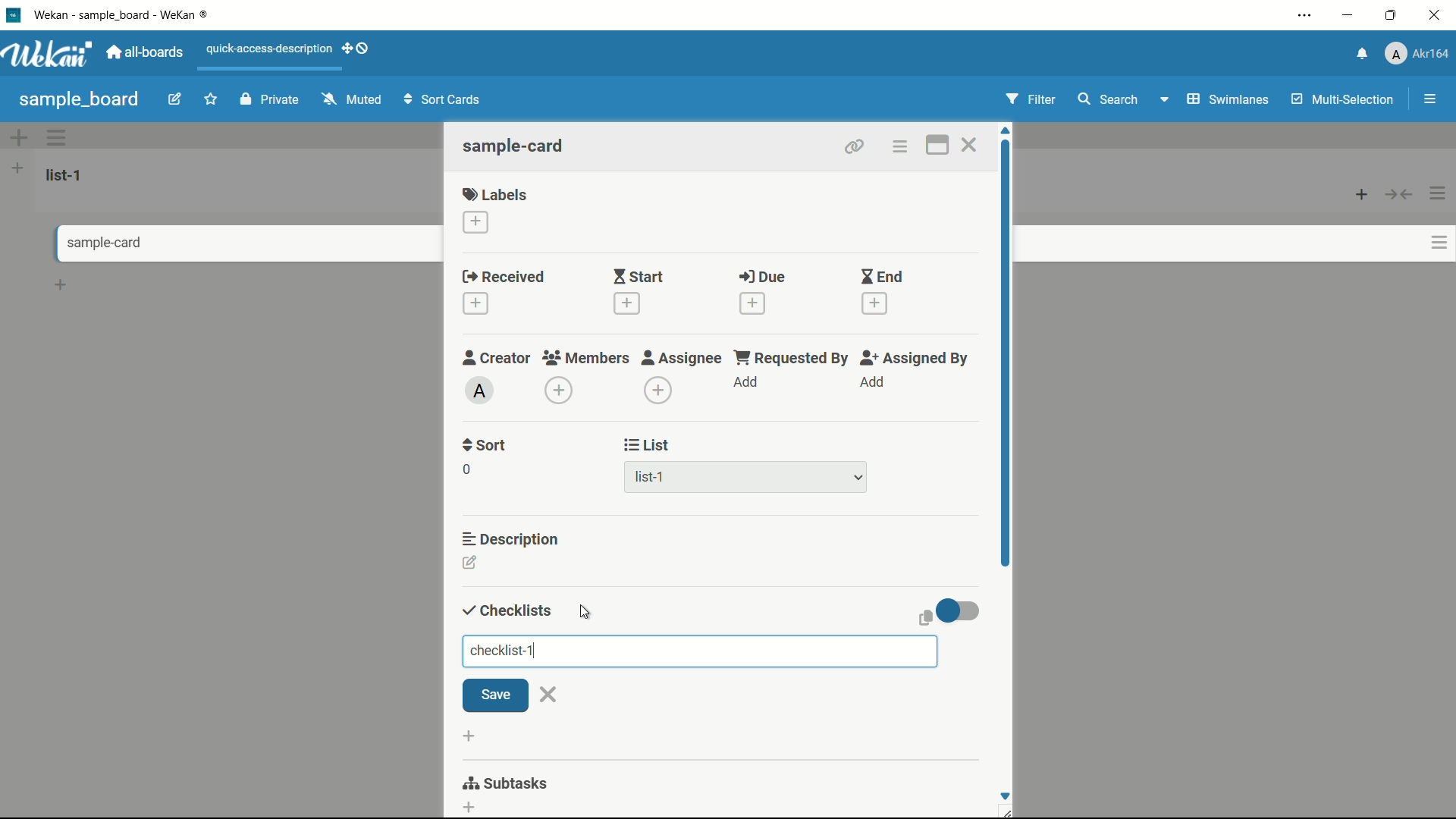 The width and height of the screenshot is (1456, 819). I want to click on cursor, so click(583, 613).